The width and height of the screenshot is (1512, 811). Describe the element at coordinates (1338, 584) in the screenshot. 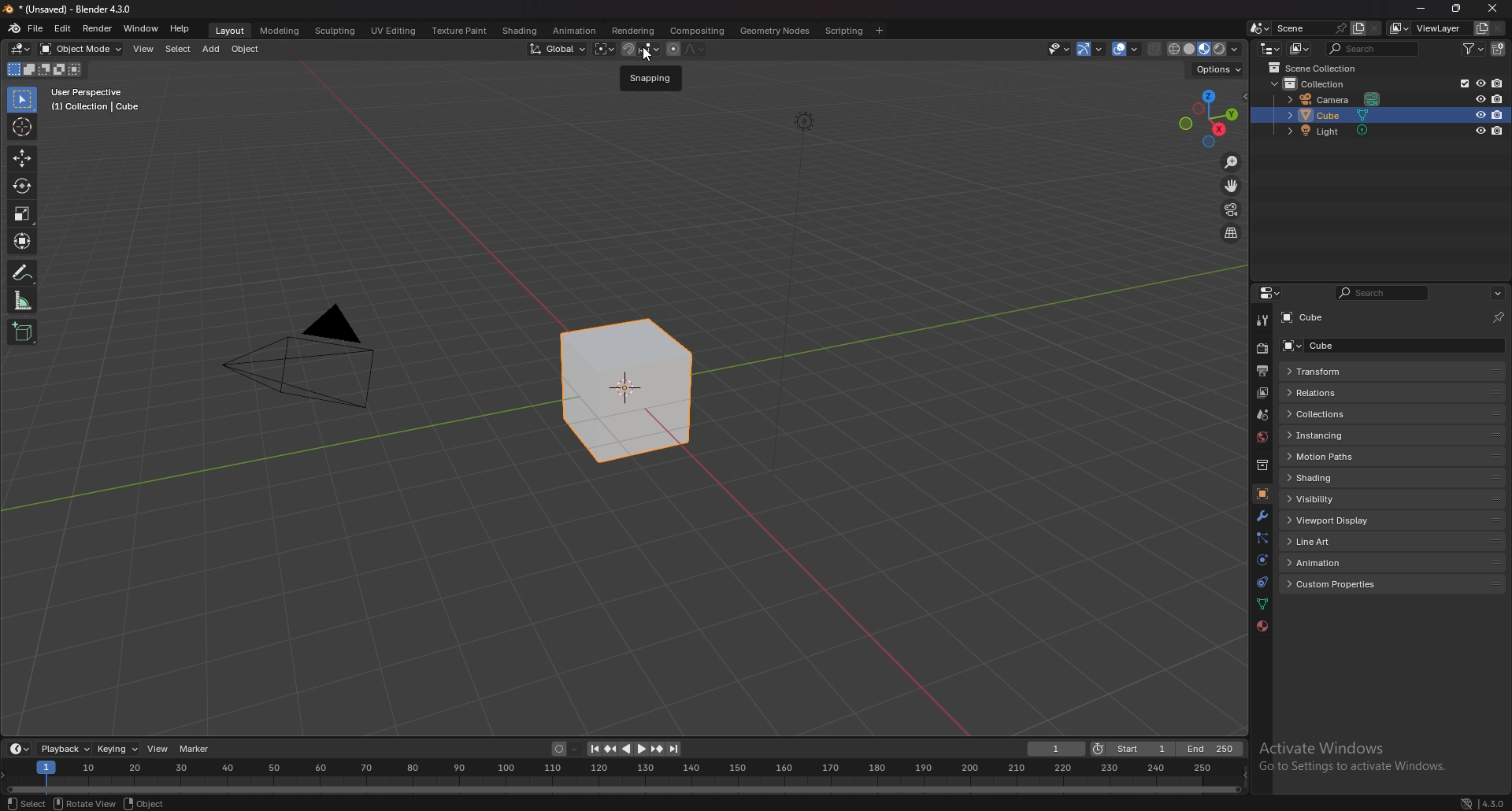

I see `custom properties` at that location.